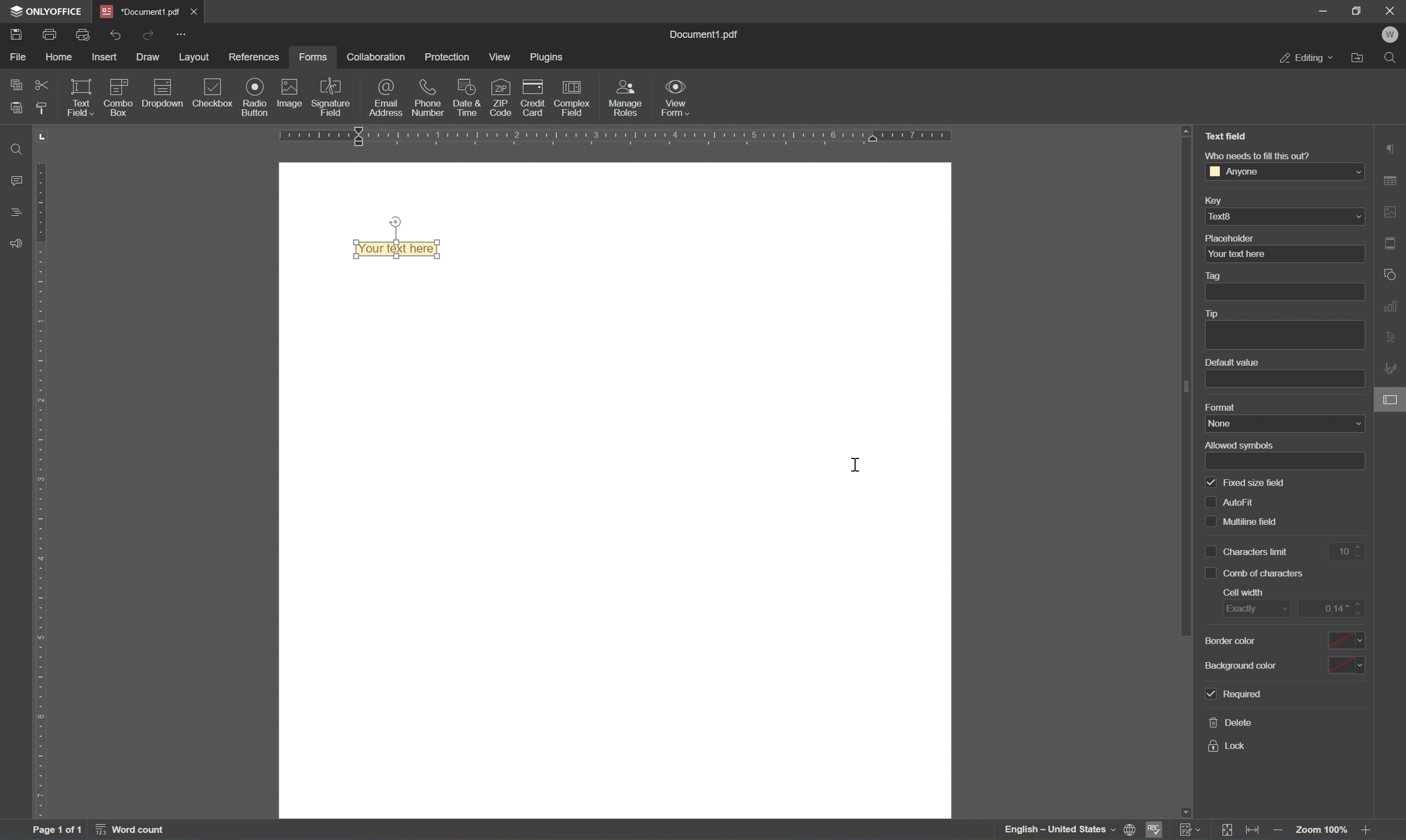  Describe the element at coordinates (120, 84) in the screenshot. I see `icon` at that location.